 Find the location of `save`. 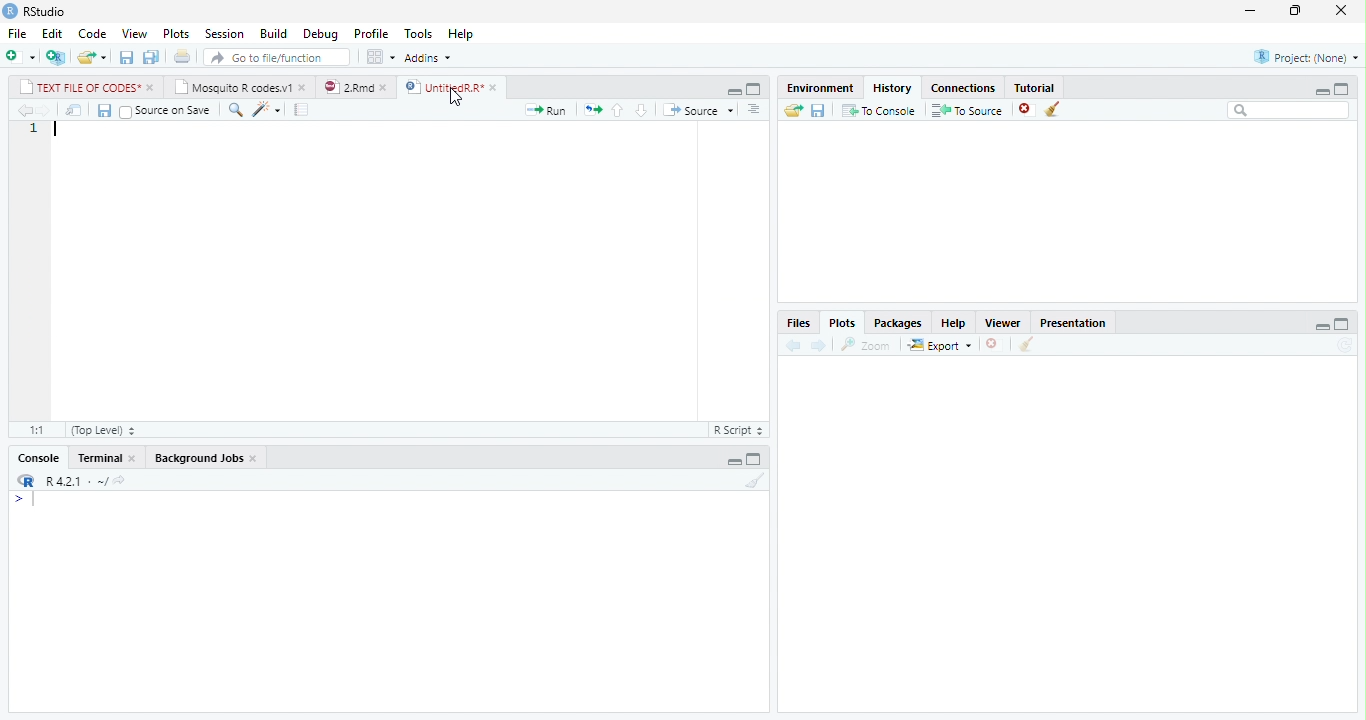

save is located at coordinates (104, 111).